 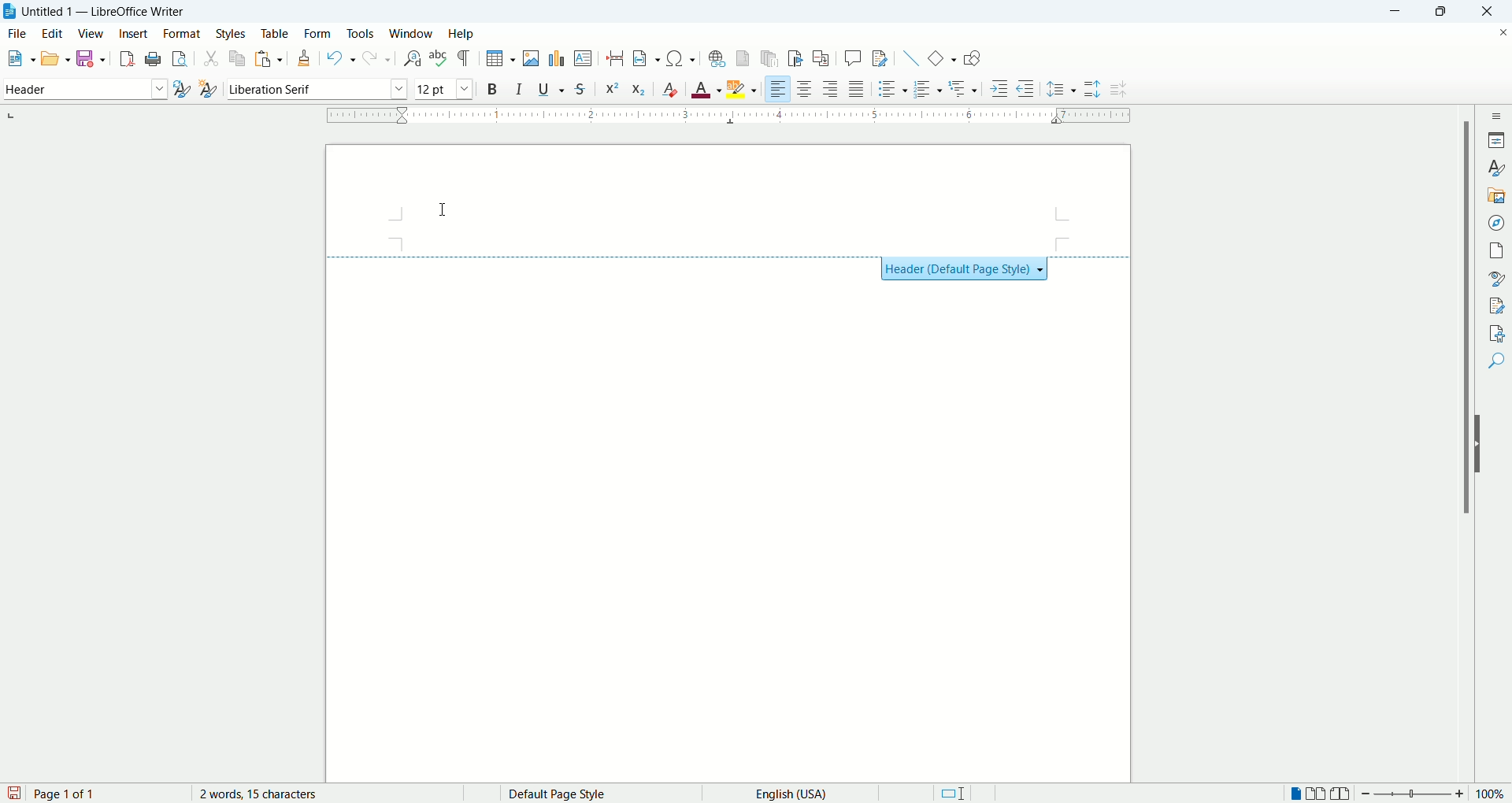 I want to click on page style, so click(x=592, y=792).